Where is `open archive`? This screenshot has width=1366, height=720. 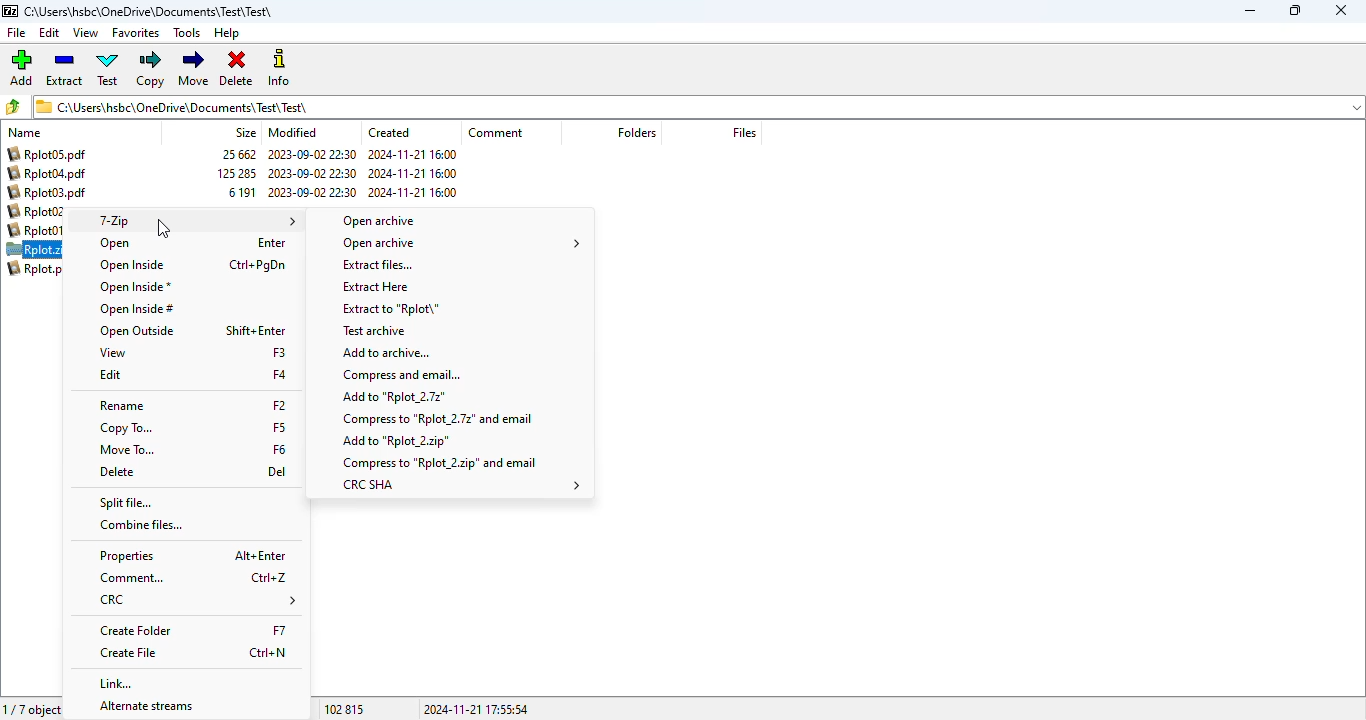 open archive is located at coordinates (379, 221).